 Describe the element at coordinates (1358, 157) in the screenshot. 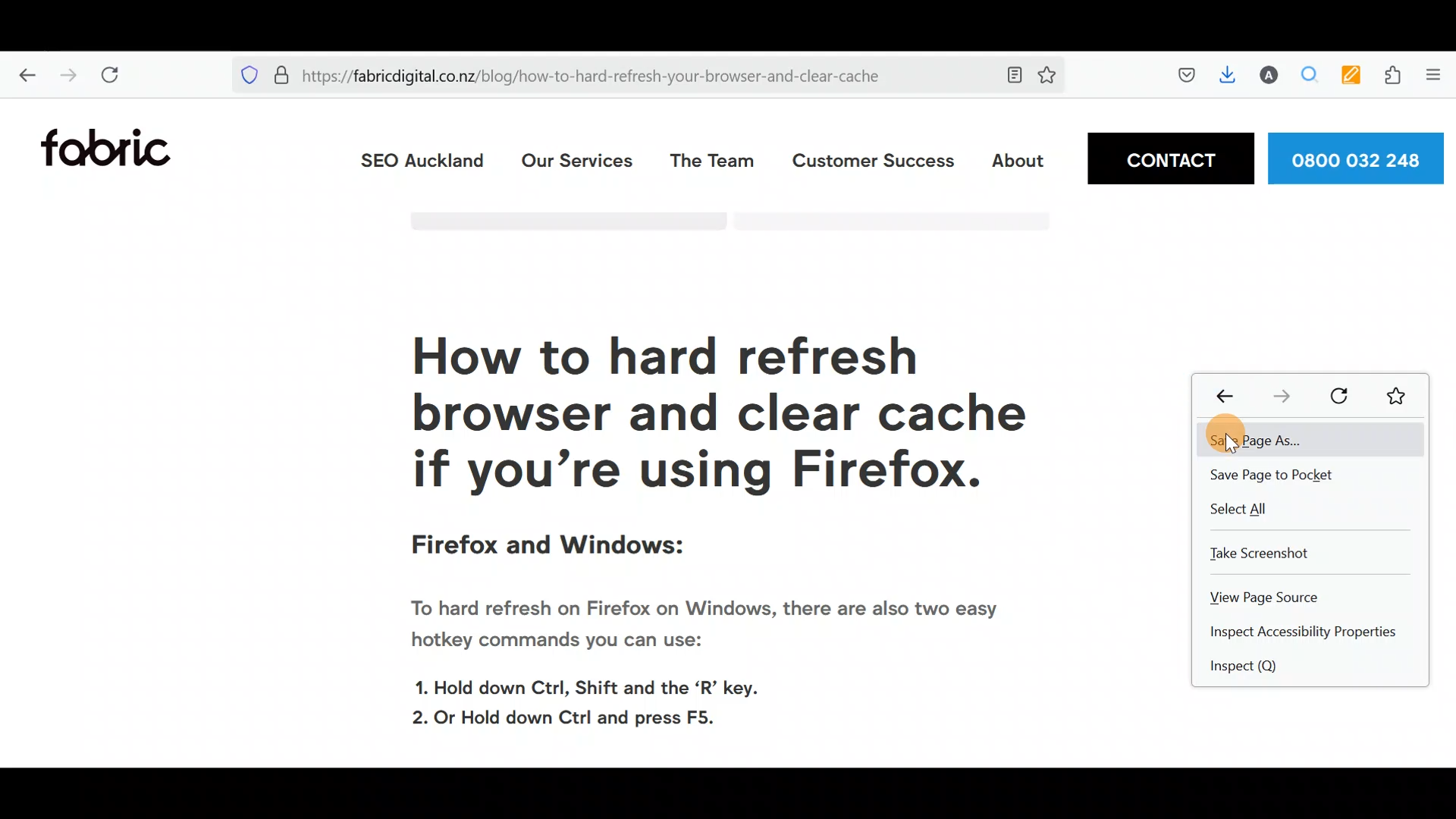

I see `Phone number` at that location.